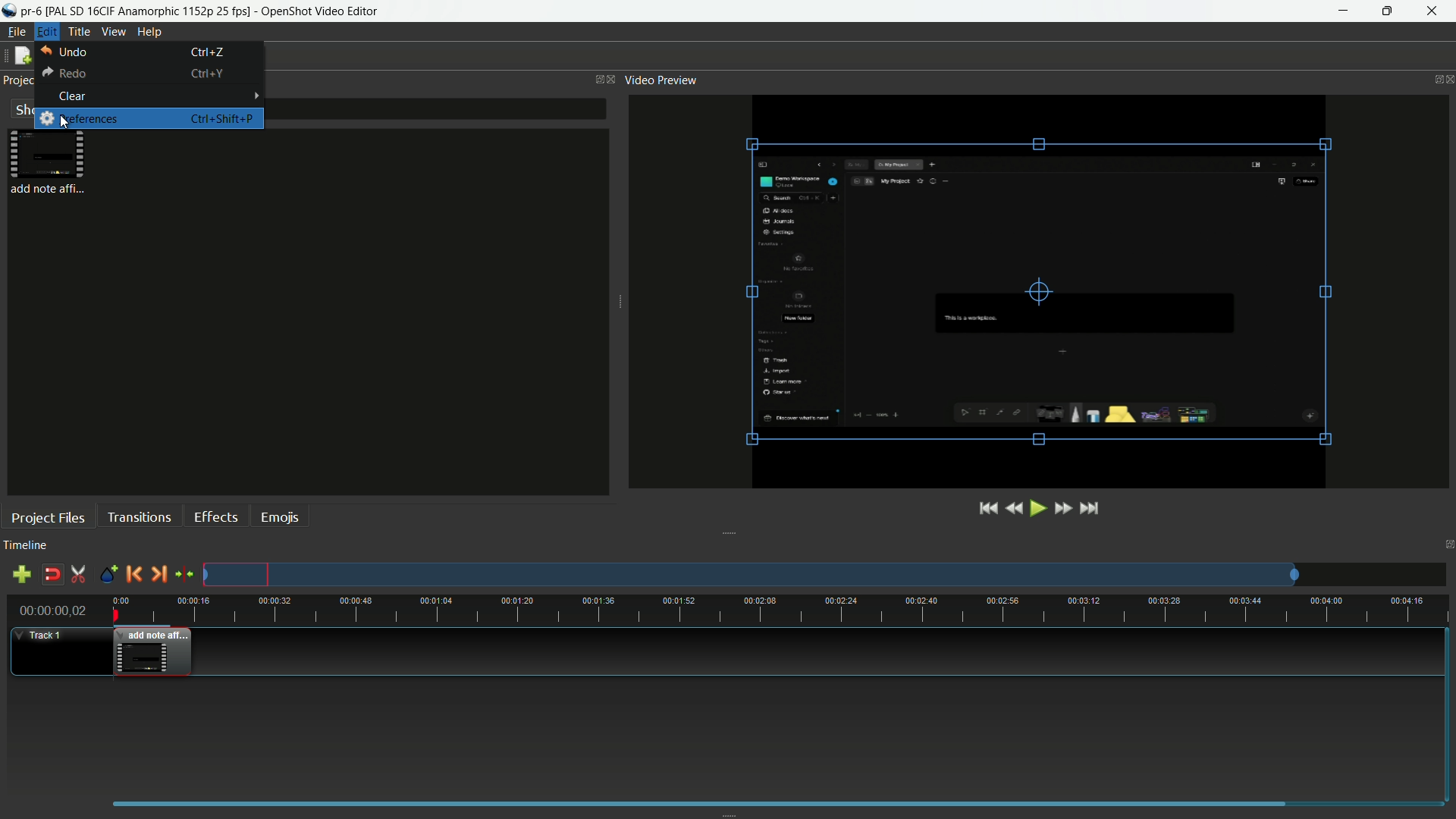 This screenshot has height=819, width=1456. I want to click on video in timeline, so click(152, 652).